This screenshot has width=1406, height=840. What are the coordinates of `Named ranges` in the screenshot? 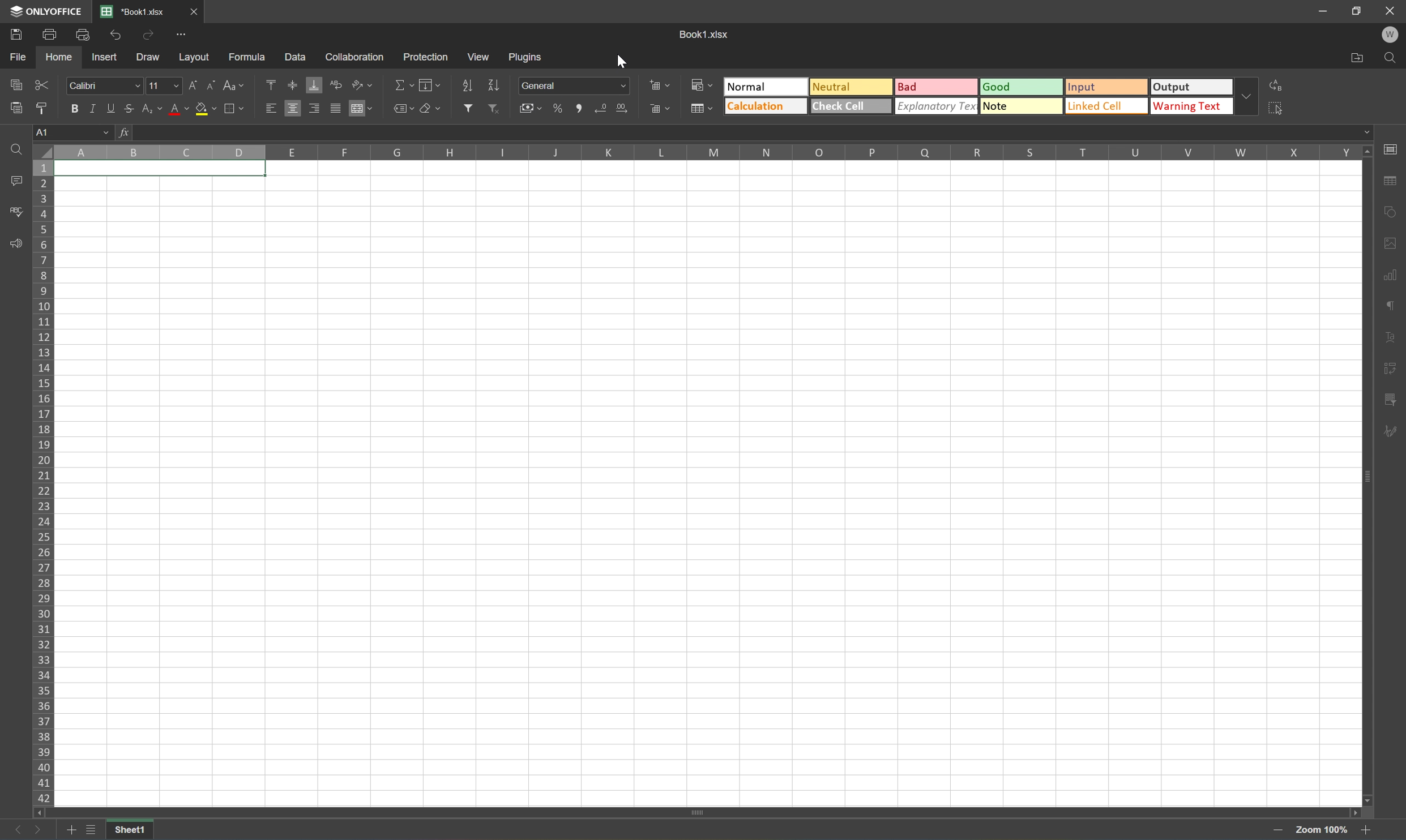 It's located at (402, 108).